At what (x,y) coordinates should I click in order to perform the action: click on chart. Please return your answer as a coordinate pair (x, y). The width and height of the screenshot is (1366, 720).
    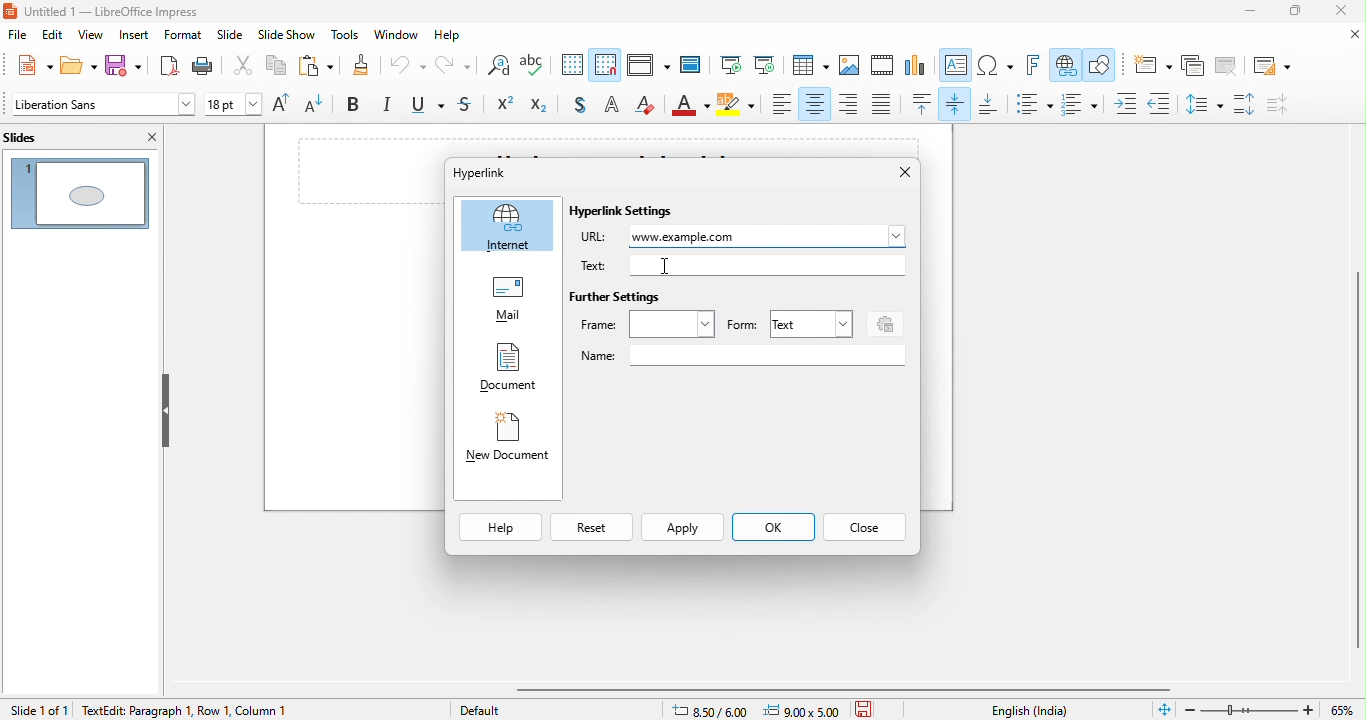
    Looking at the image, I should click on (916, 67).